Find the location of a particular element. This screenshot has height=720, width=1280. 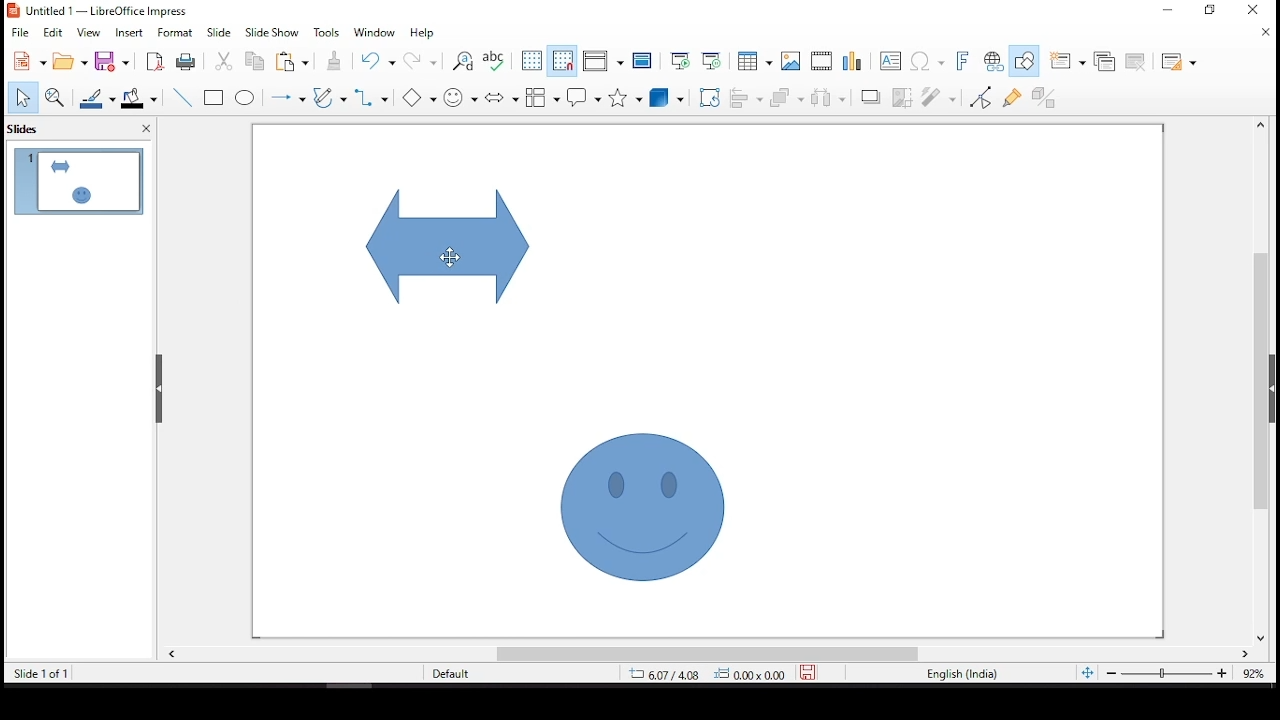

format is located at coordinates (178, 33).